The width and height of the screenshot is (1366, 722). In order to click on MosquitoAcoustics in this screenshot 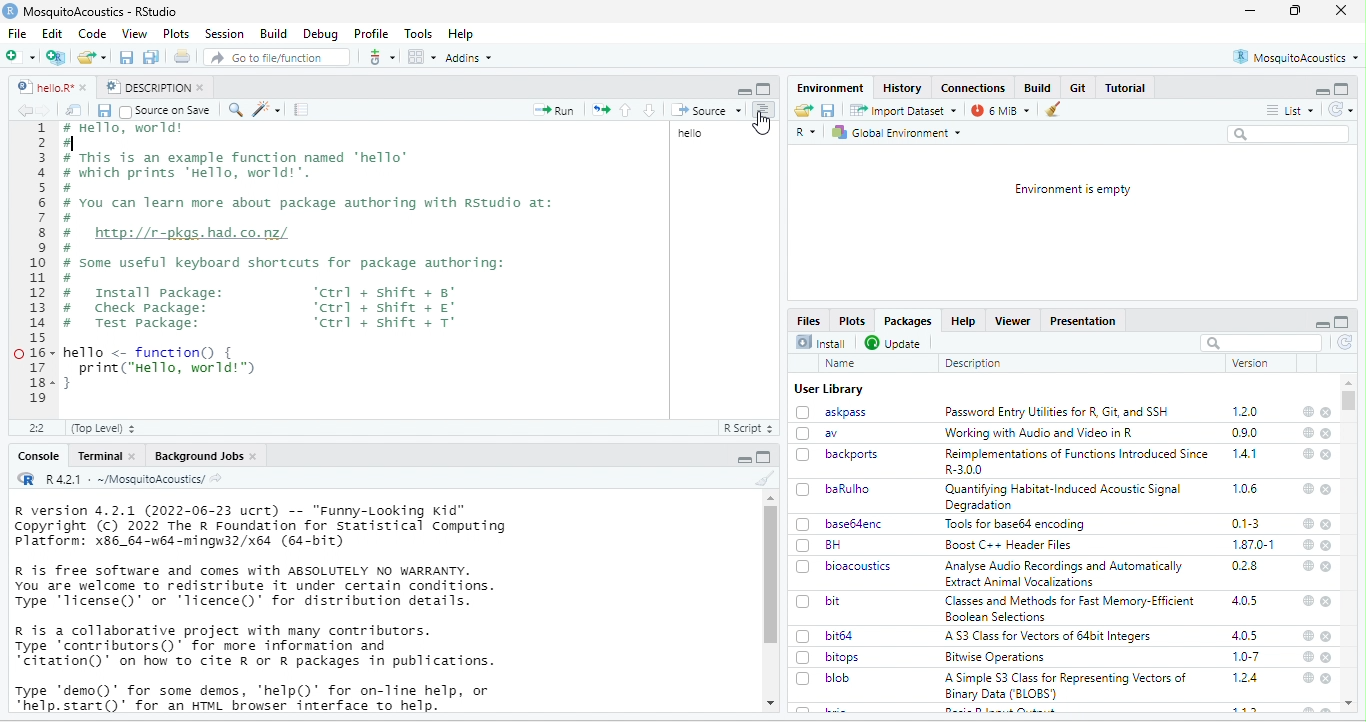, I will do `click(1296, 57)`.